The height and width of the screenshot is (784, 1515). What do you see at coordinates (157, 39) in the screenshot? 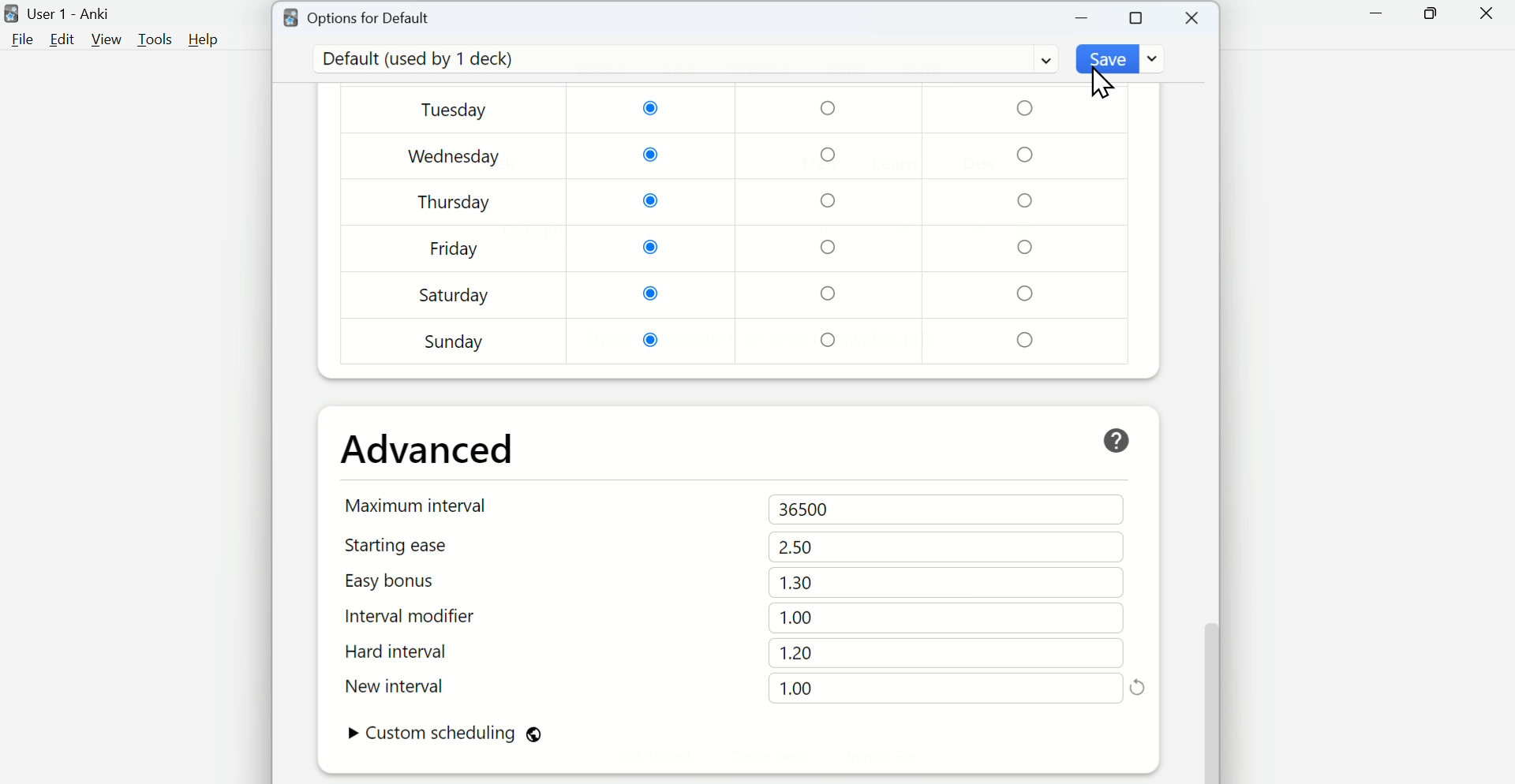
I see `Tools` at bounding box center [157, 39].